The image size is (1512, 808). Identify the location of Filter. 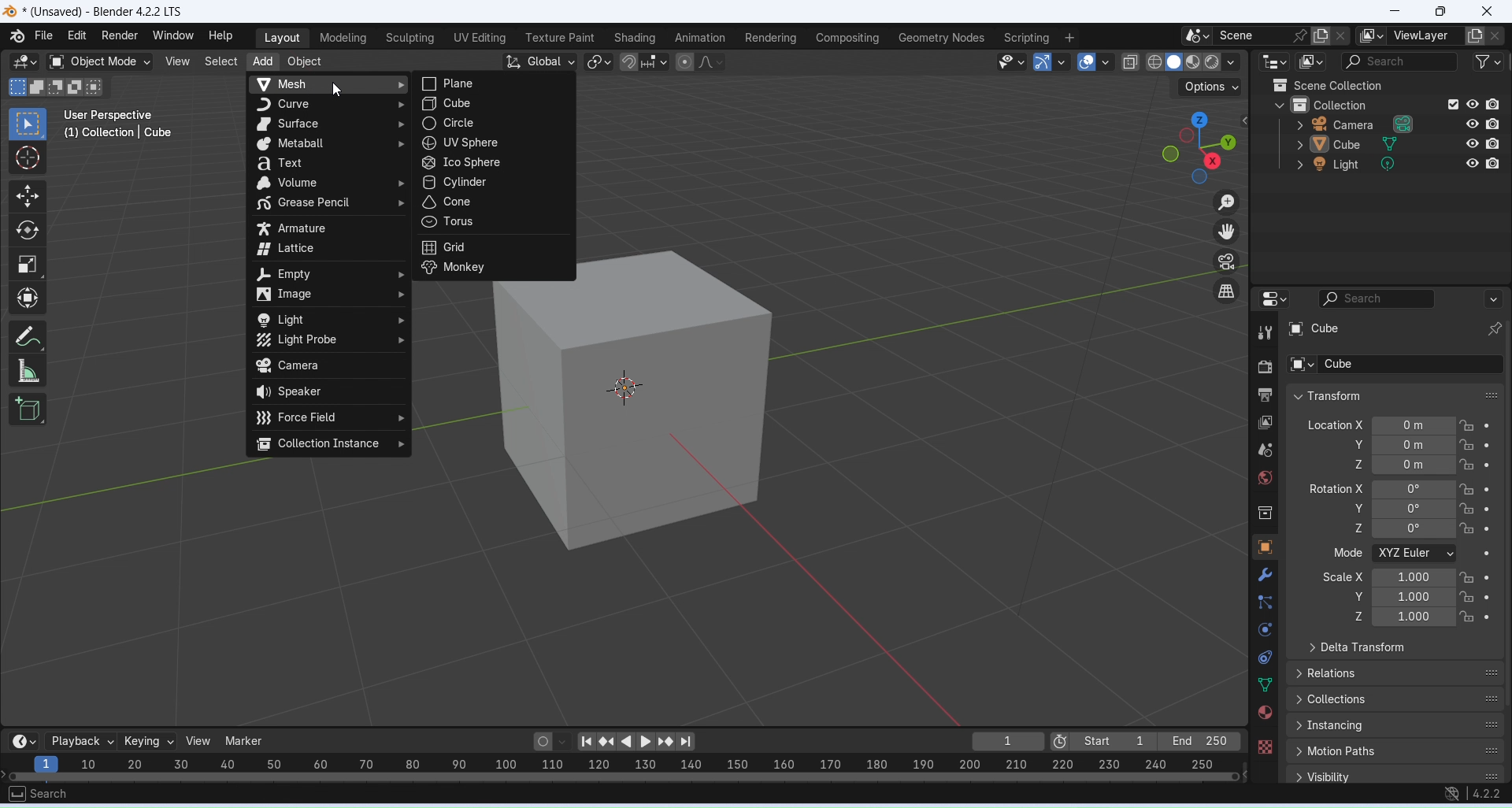
(1484, 61).